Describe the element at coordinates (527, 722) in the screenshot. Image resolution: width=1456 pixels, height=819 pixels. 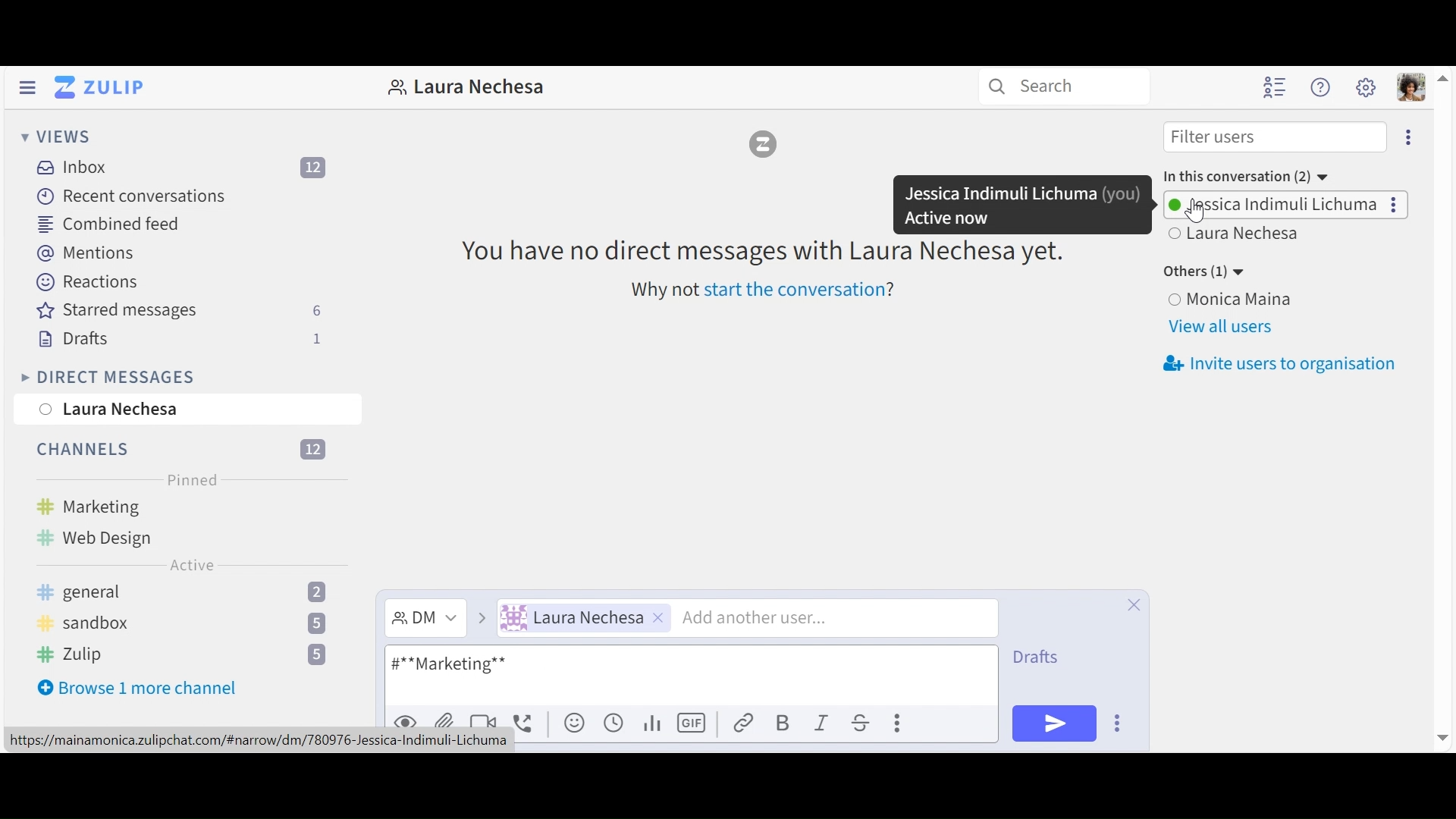
I see `Add Voice call` at that location.